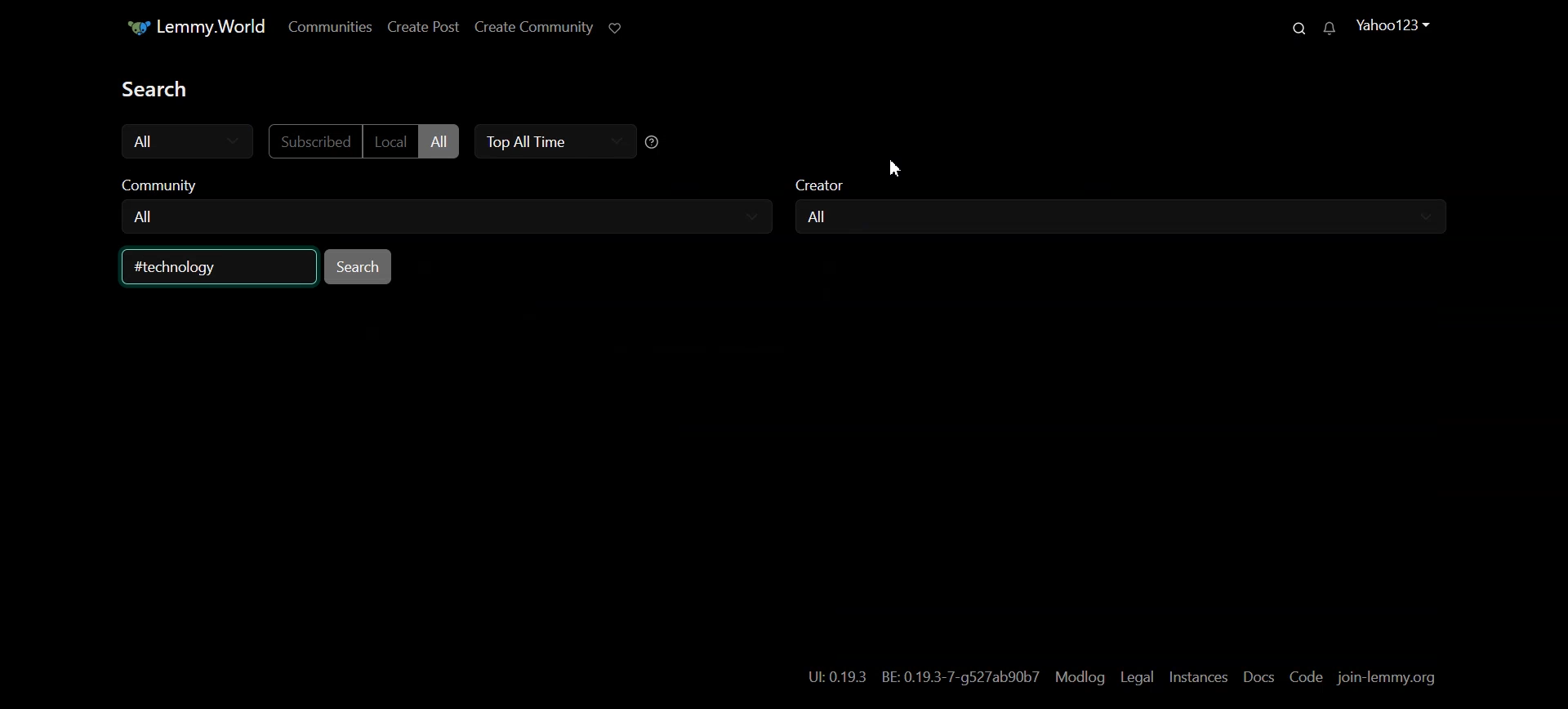 The width and height of the screenshot is (1568, 709). Describe the element at coordinates (439, 141) in the screenshot. I see `All` at that location.